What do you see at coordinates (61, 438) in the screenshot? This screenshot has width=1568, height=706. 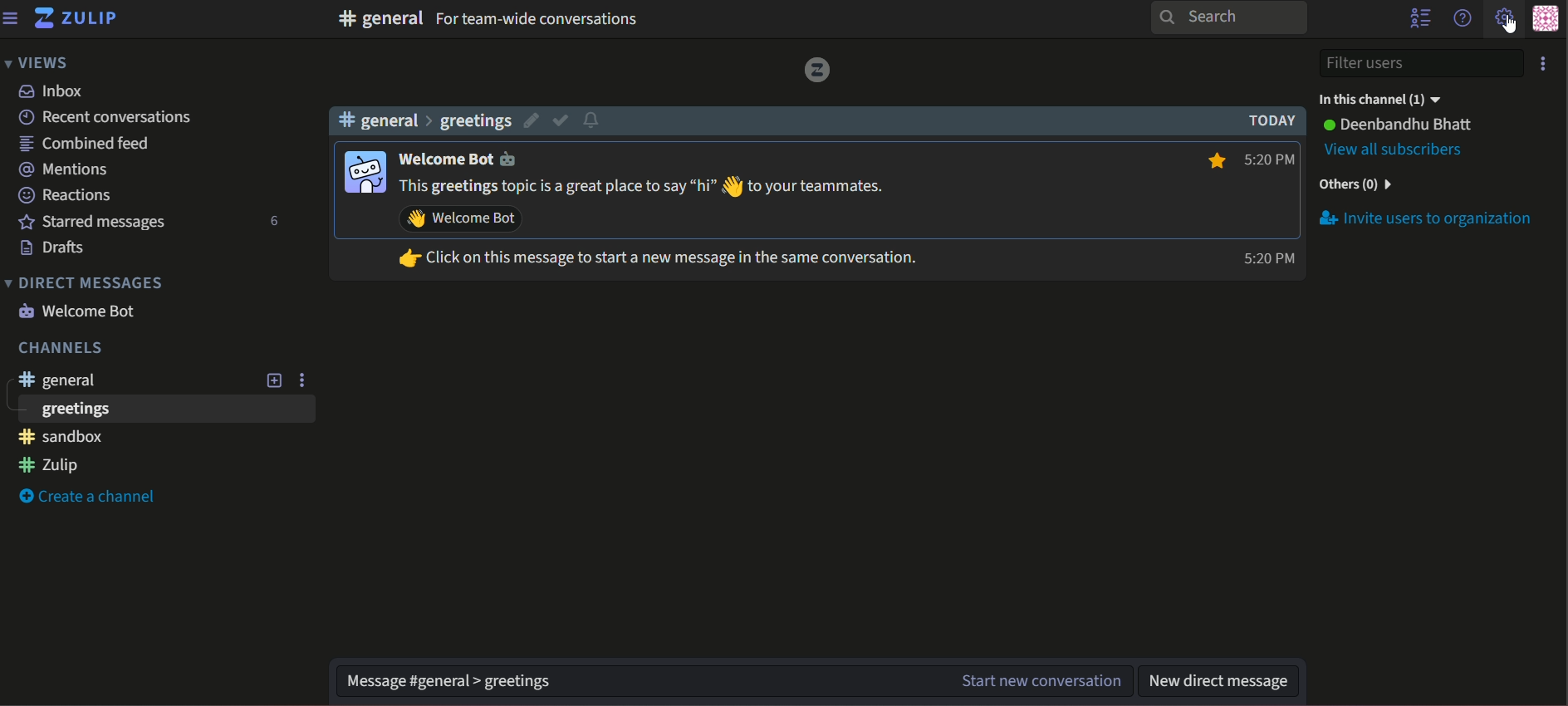 I see `sandbox` at bounding box center [61, 438].